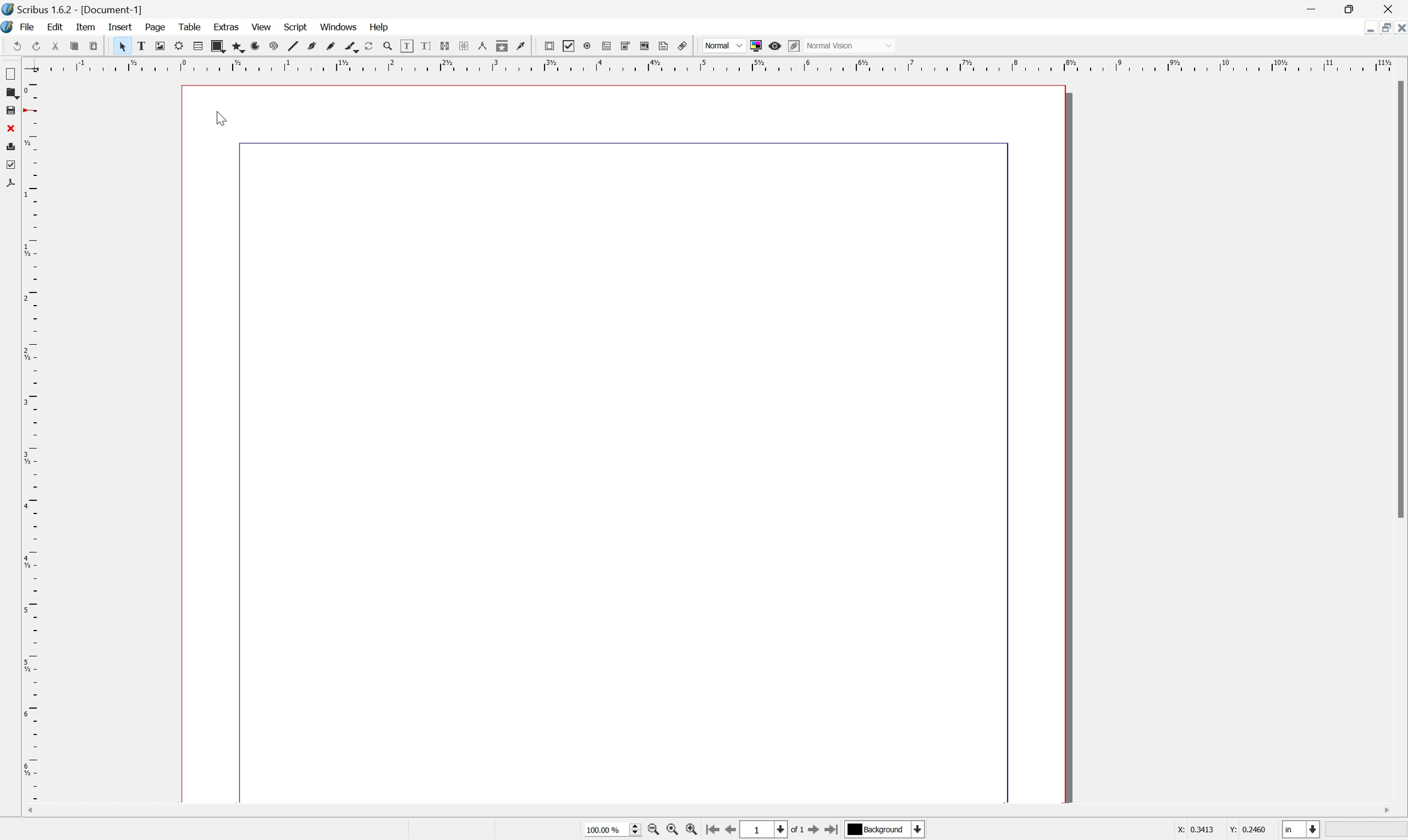  I want to click on open, so click(38, 46).